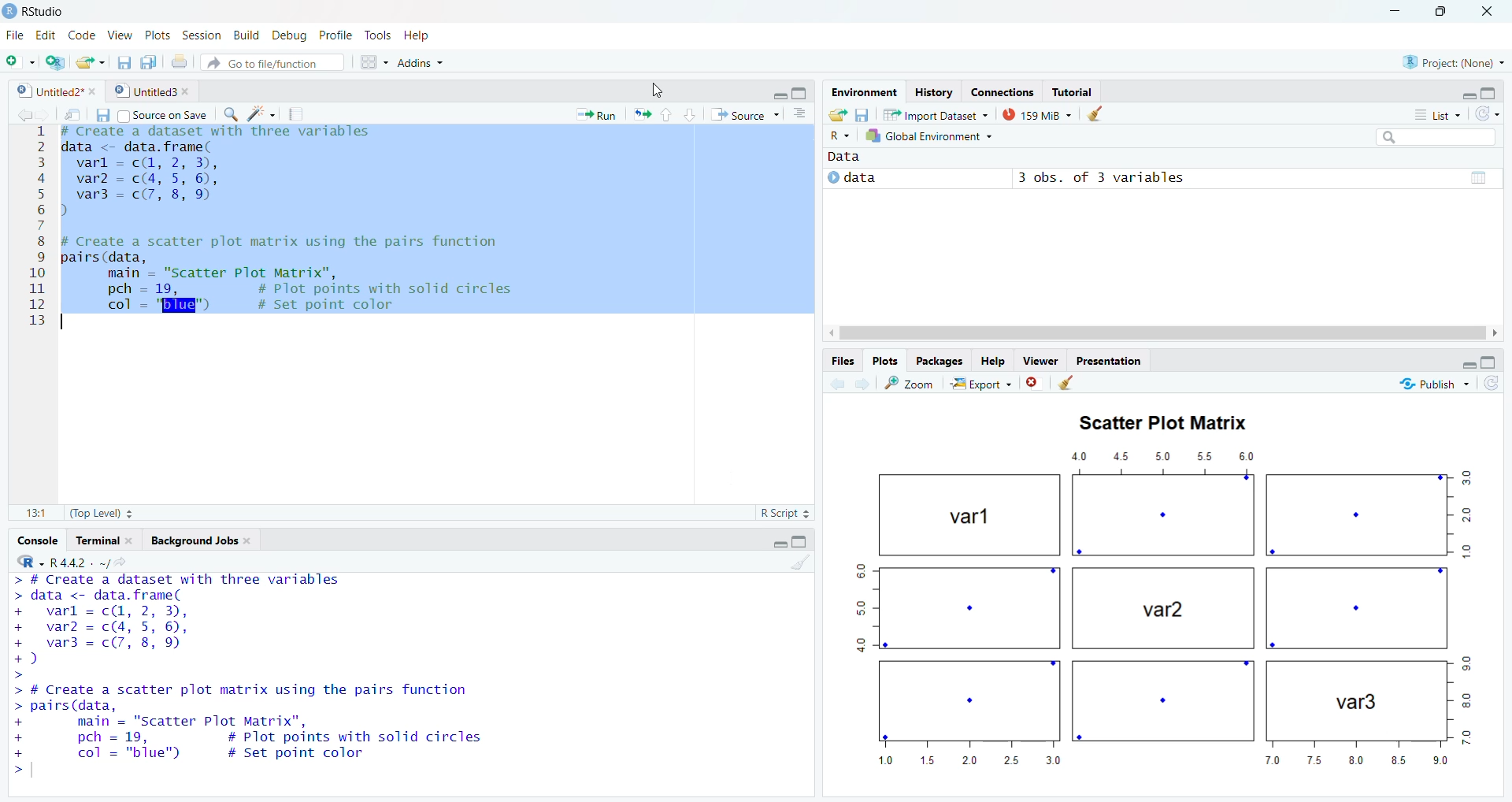 The height and width of the screenshot is (802, 1512). Describe the element at coordinates (120, 32) in the screenshot. I see `View` at that location.